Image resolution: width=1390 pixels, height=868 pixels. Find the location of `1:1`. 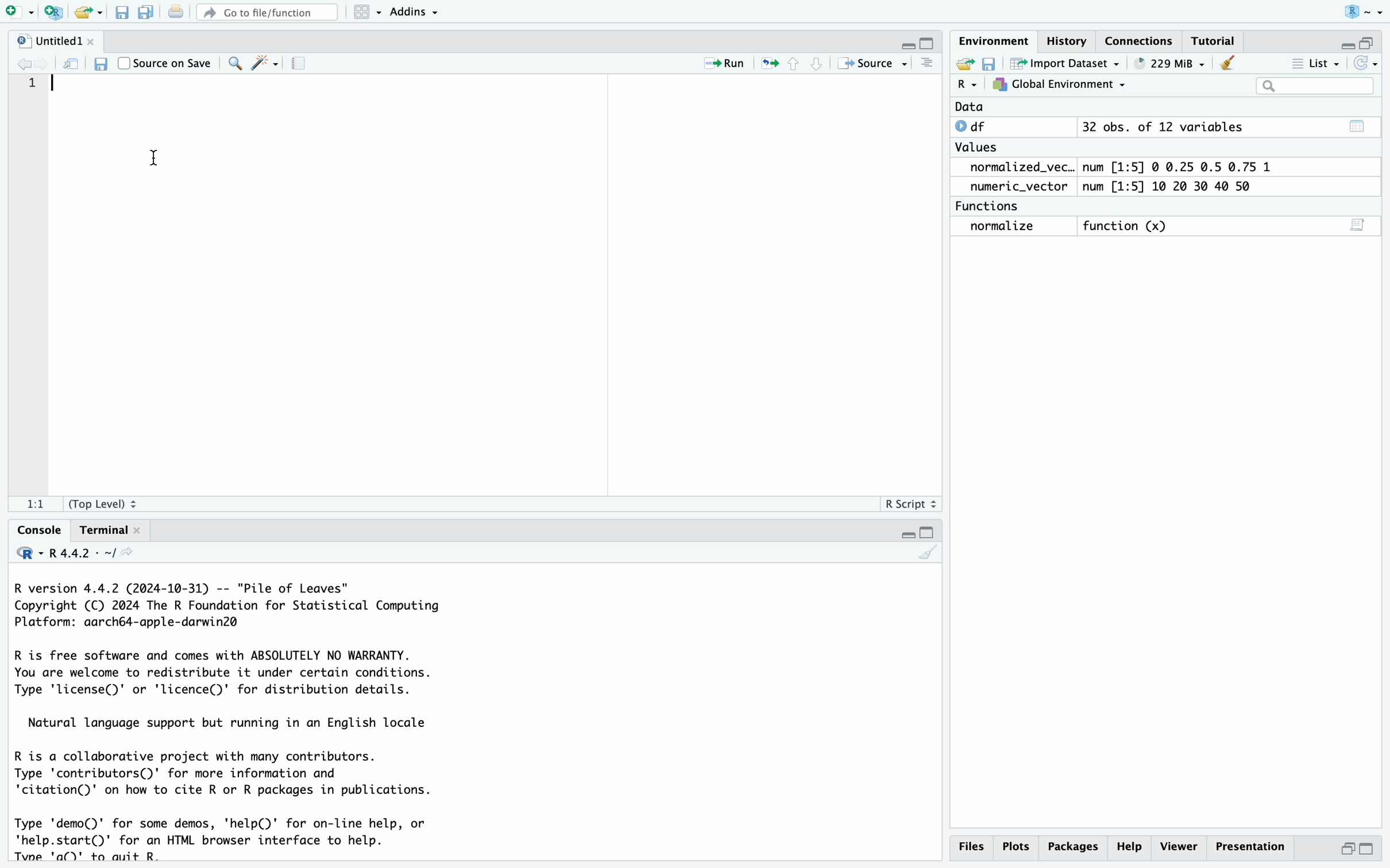

1:1 is located at coordinates (38, 505).